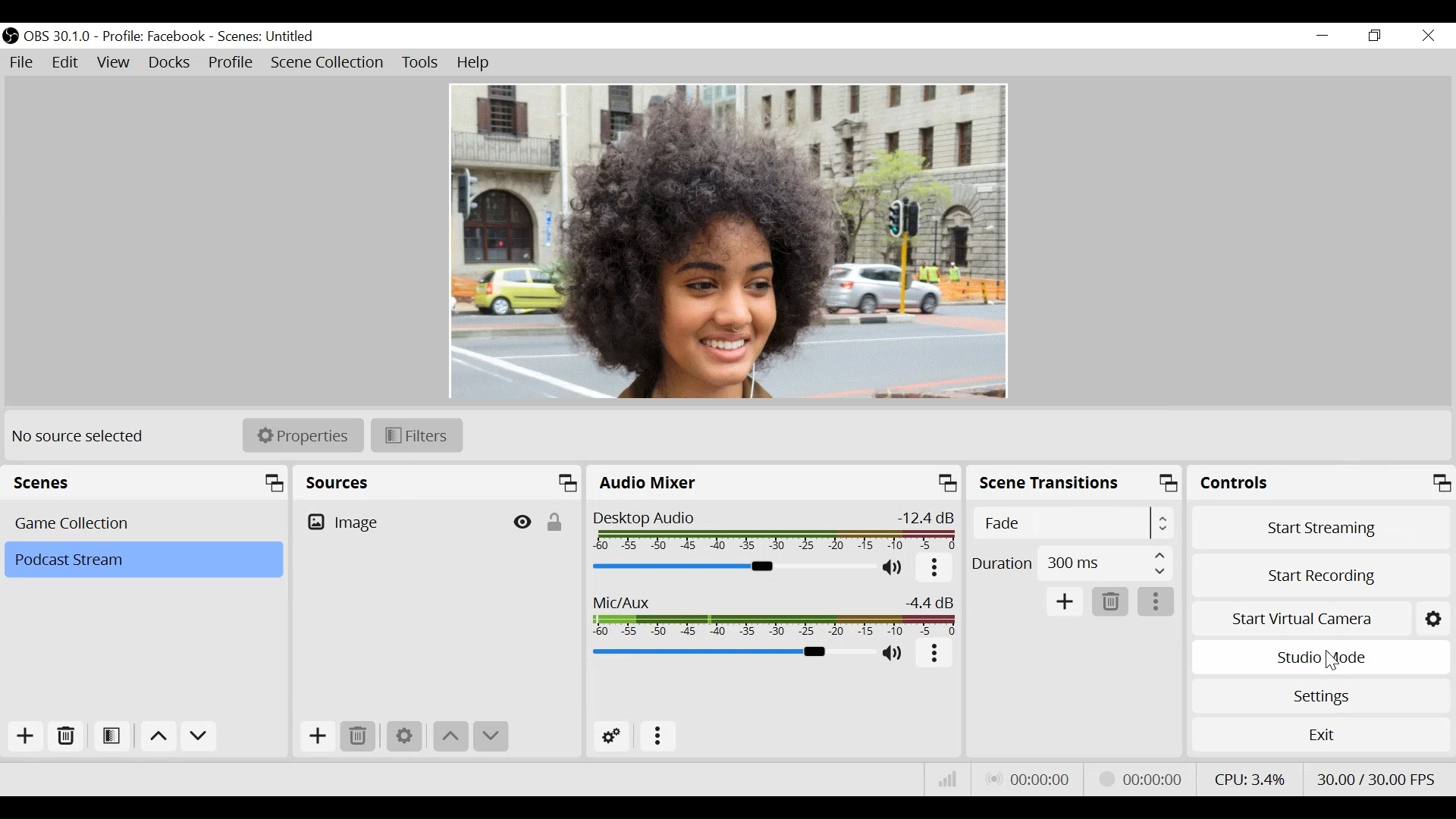 Image resolution: width=1456 pixels, height=819 pixels. I want to click on Image, so click(402, 525).